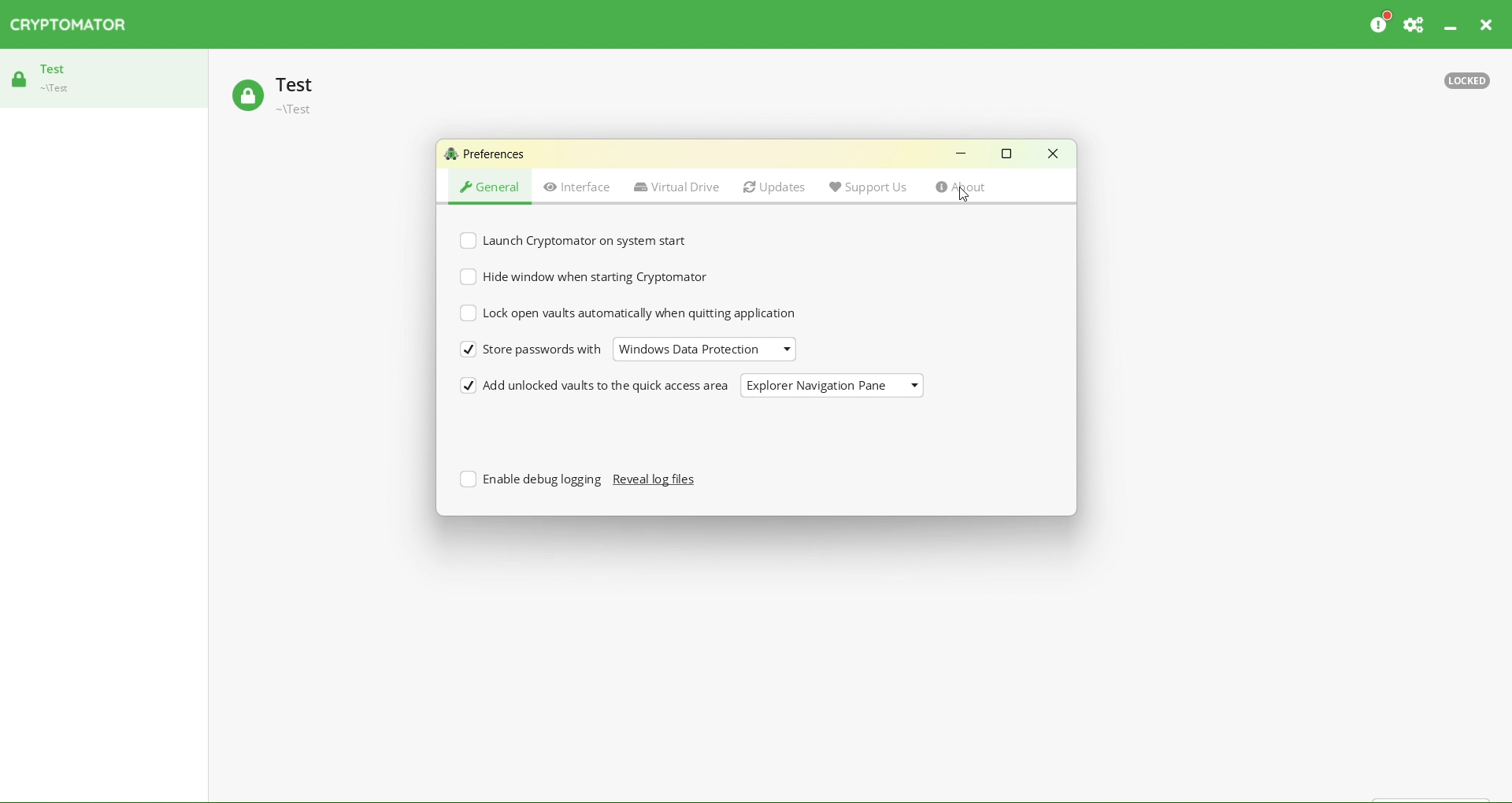 Image resolution: width=1512 pixels, height=803 pixels. What do you see at coordinates (487, 154) in the screenshot?
I see `Preferences` at bounding box center [487, 154].